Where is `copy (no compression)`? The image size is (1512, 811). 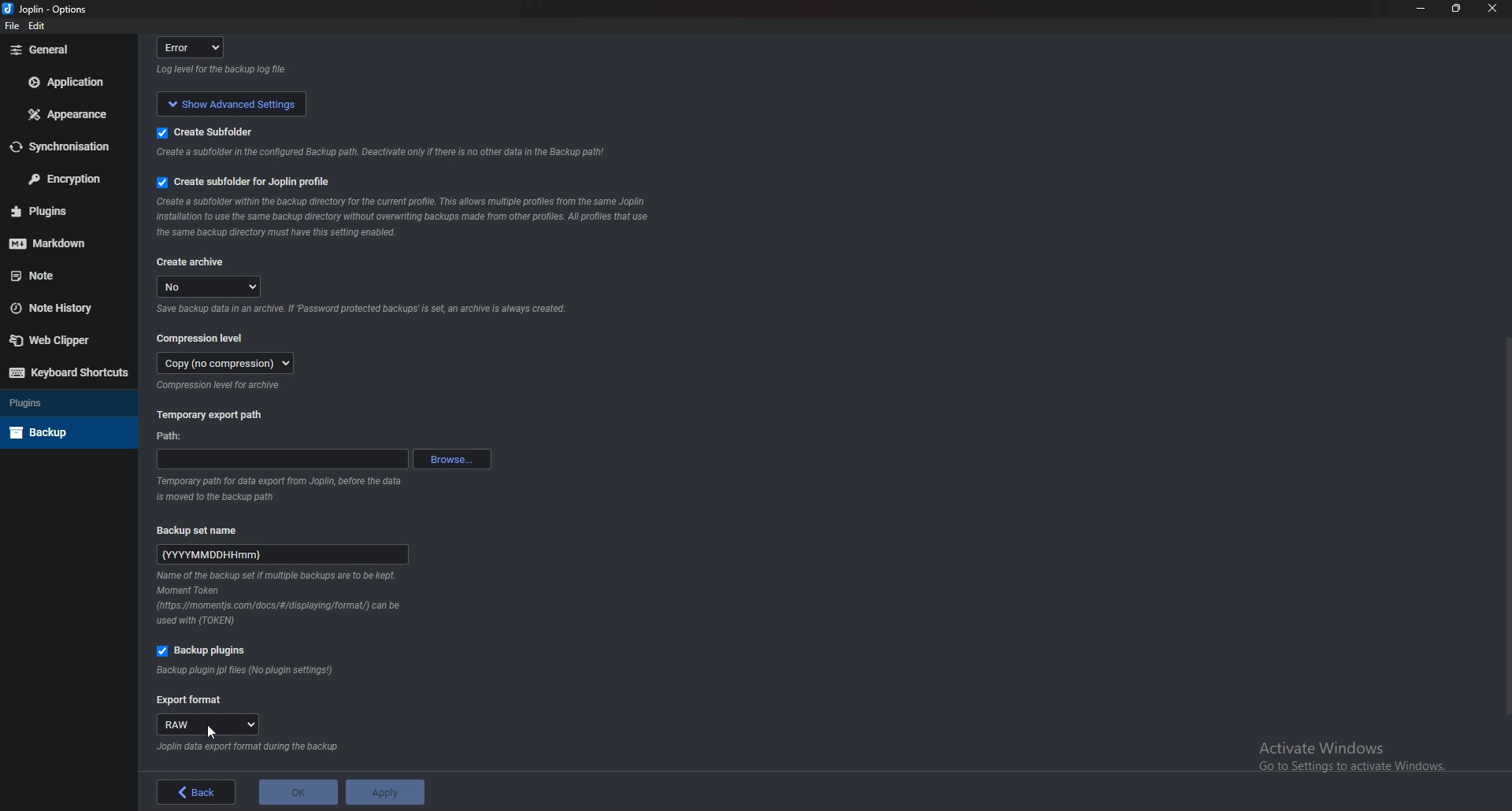 copy (no compression) is located at coordinates (226, 363).